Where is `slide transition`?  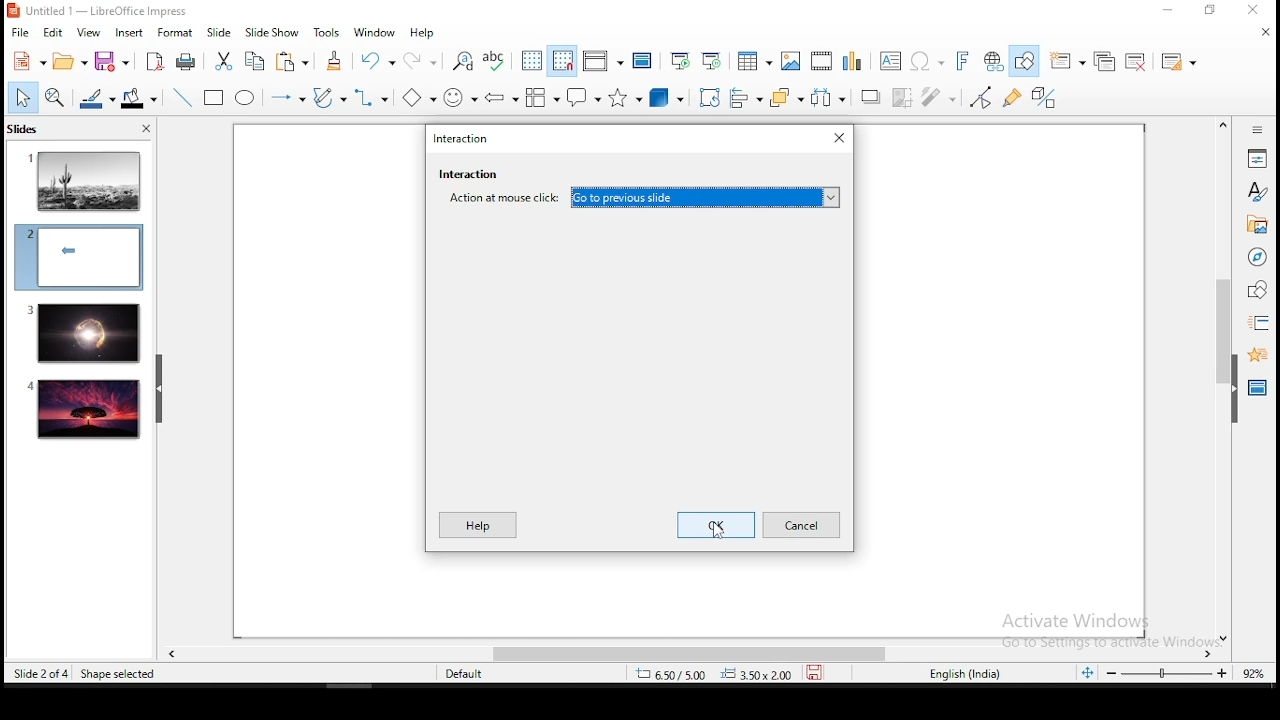 slide transition is located at coordinates (1258, 324).